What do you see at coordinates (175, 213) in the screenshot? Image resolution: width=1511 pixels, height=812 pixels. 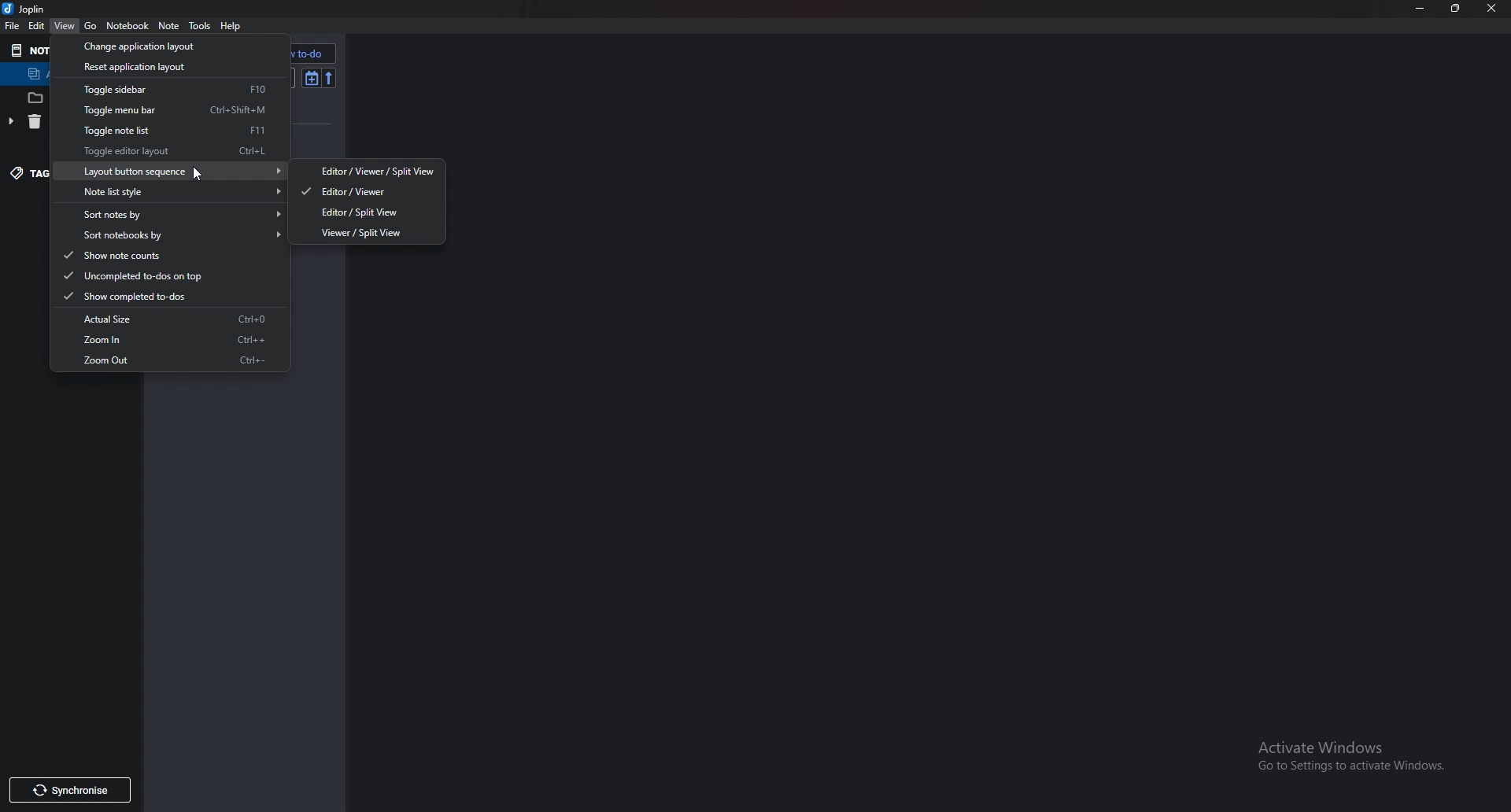 I see `sort not by` at bounding box center [175, 213].